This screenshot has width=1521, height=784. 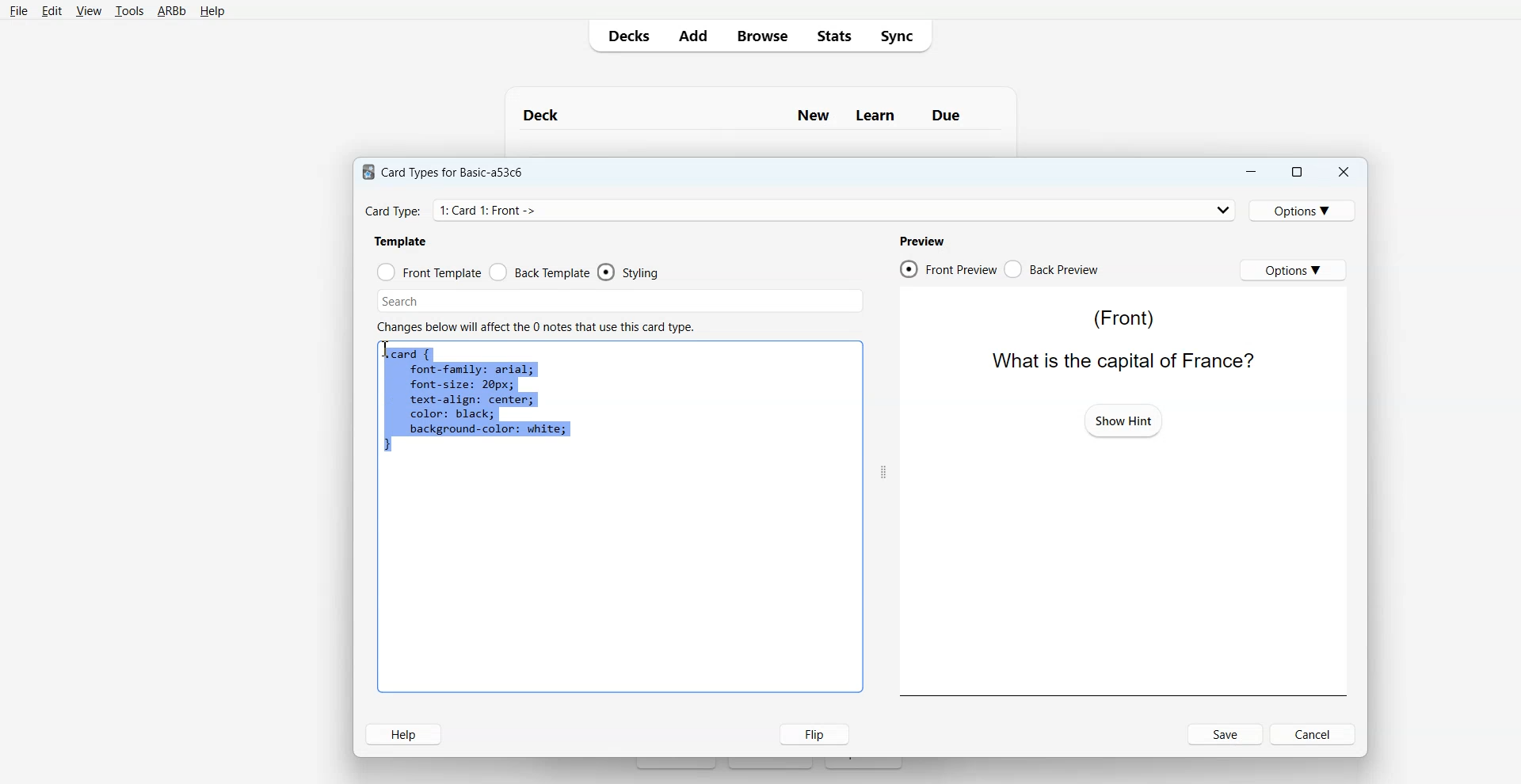 I want to click on (Front)
What is the capital of France?, so click(x=1118, y=338).